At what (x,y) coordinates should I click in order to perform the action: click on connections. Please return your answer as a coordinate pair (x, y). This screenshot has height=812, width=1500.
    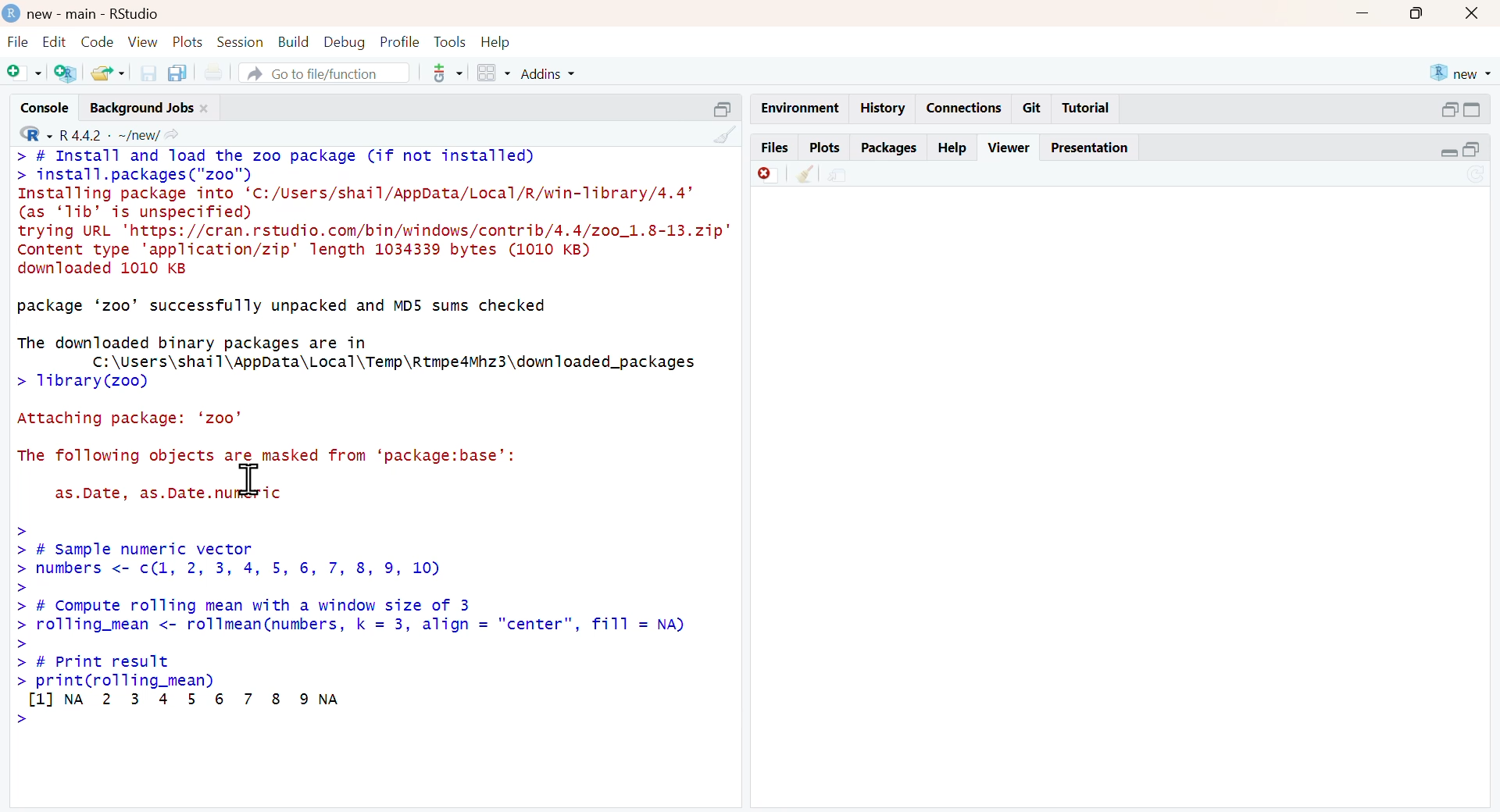
    Looking at the image, I should click on (961, 108).